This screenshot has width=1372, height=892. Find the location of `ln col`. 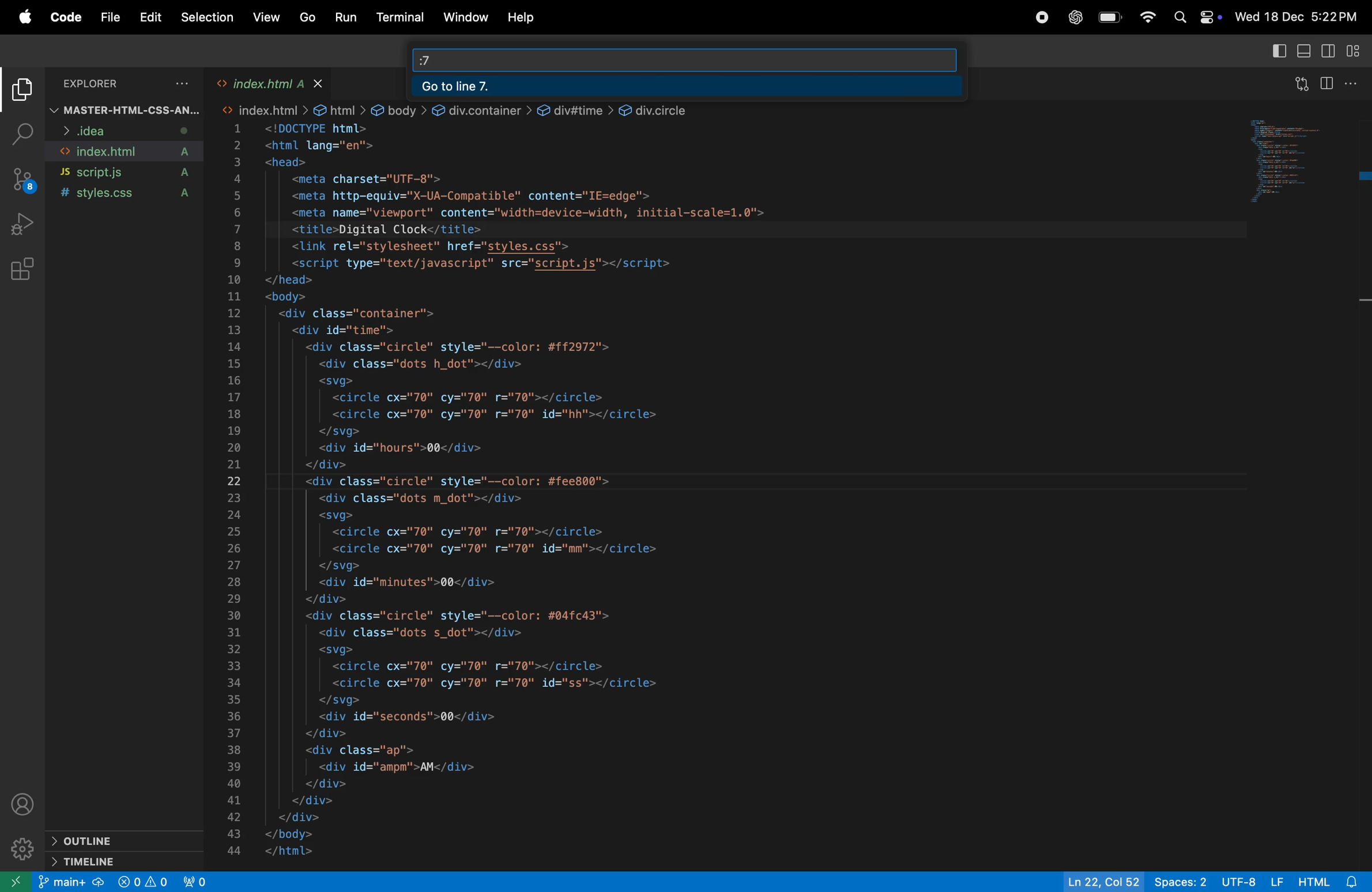

ln col is located at coordinates (1101, 881).